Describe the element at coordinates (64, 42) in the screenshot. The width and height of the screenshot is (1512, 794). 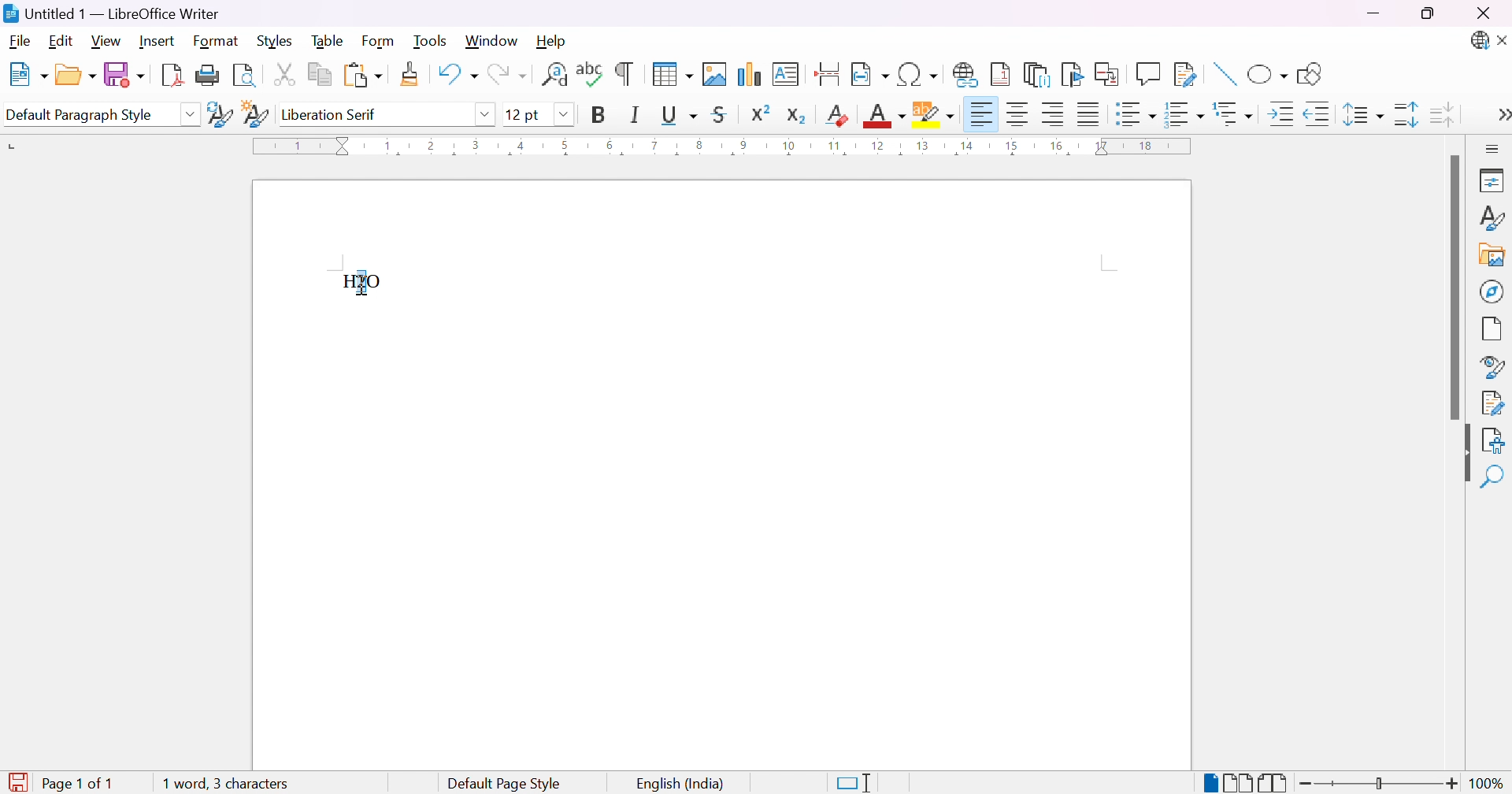
I see `Edit` at that location.